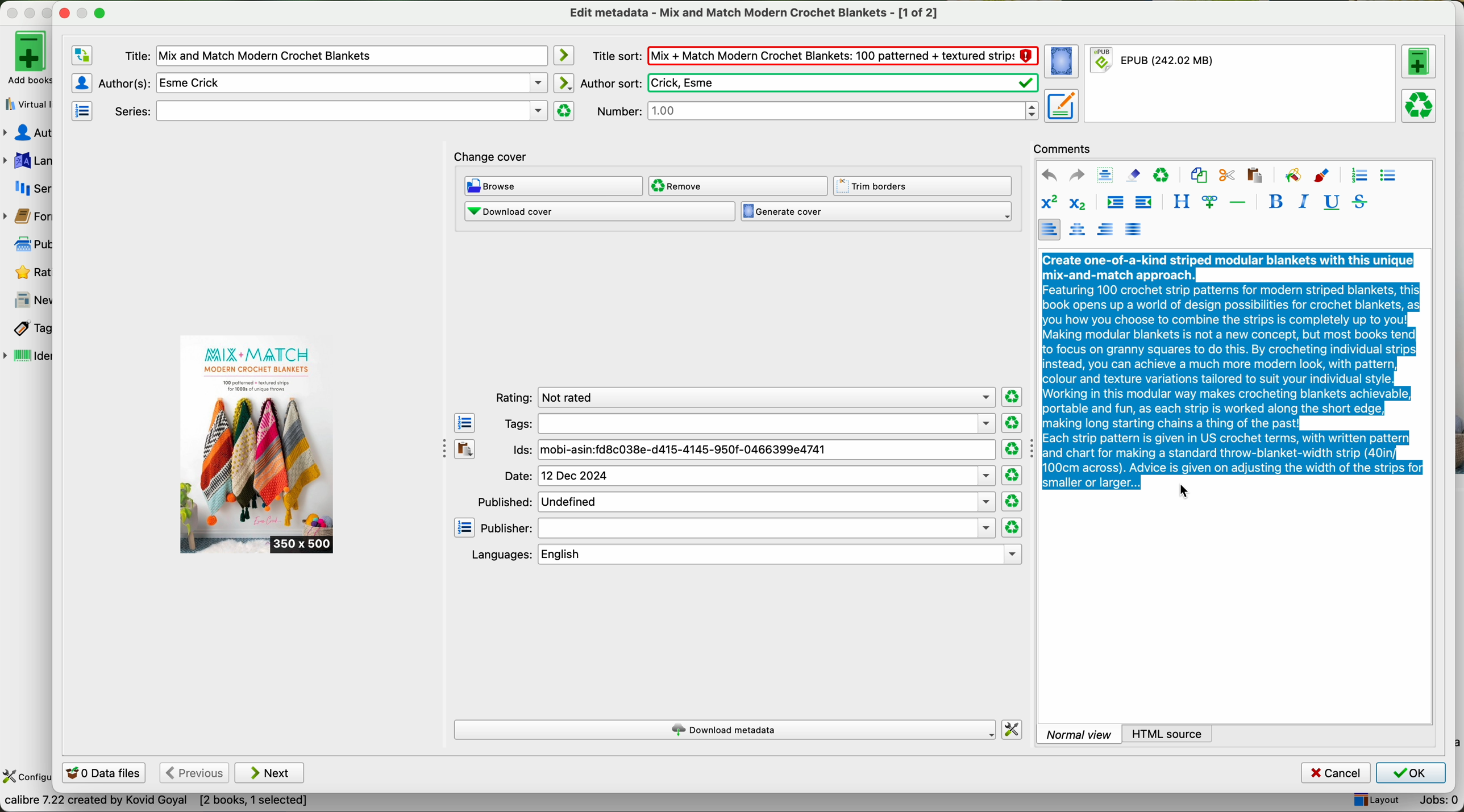 The height and width of the screenshot is (812, 1464). What do you see at coordinates (753, 451) in the screenshot?
I see `ids` at bounding box center [753, 451].